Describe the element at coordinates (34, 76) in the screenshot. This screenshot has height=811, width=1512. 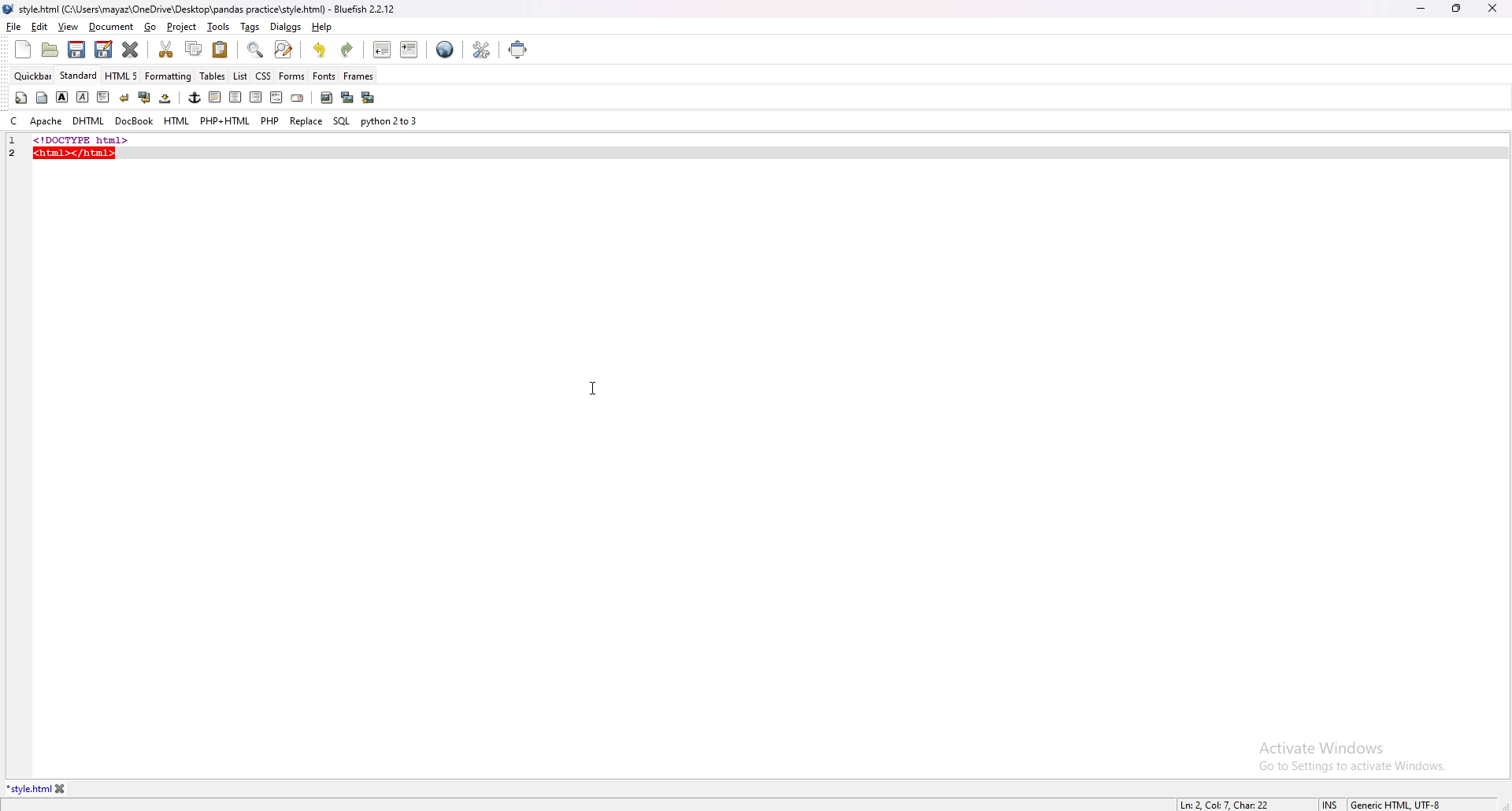
I see `quickbar` at that location.